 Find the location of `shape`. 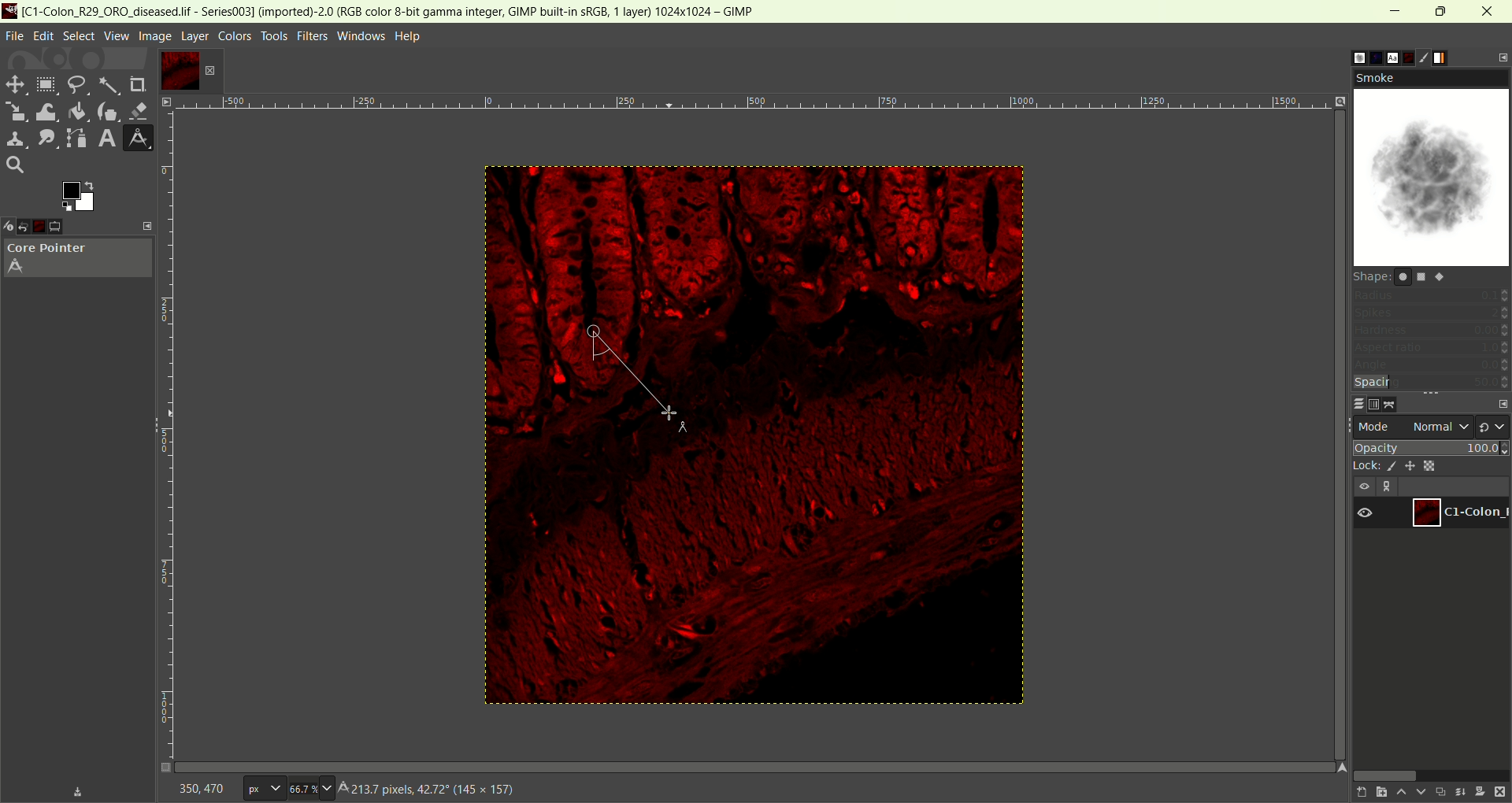

shape is located at coordinates (1403, 276).